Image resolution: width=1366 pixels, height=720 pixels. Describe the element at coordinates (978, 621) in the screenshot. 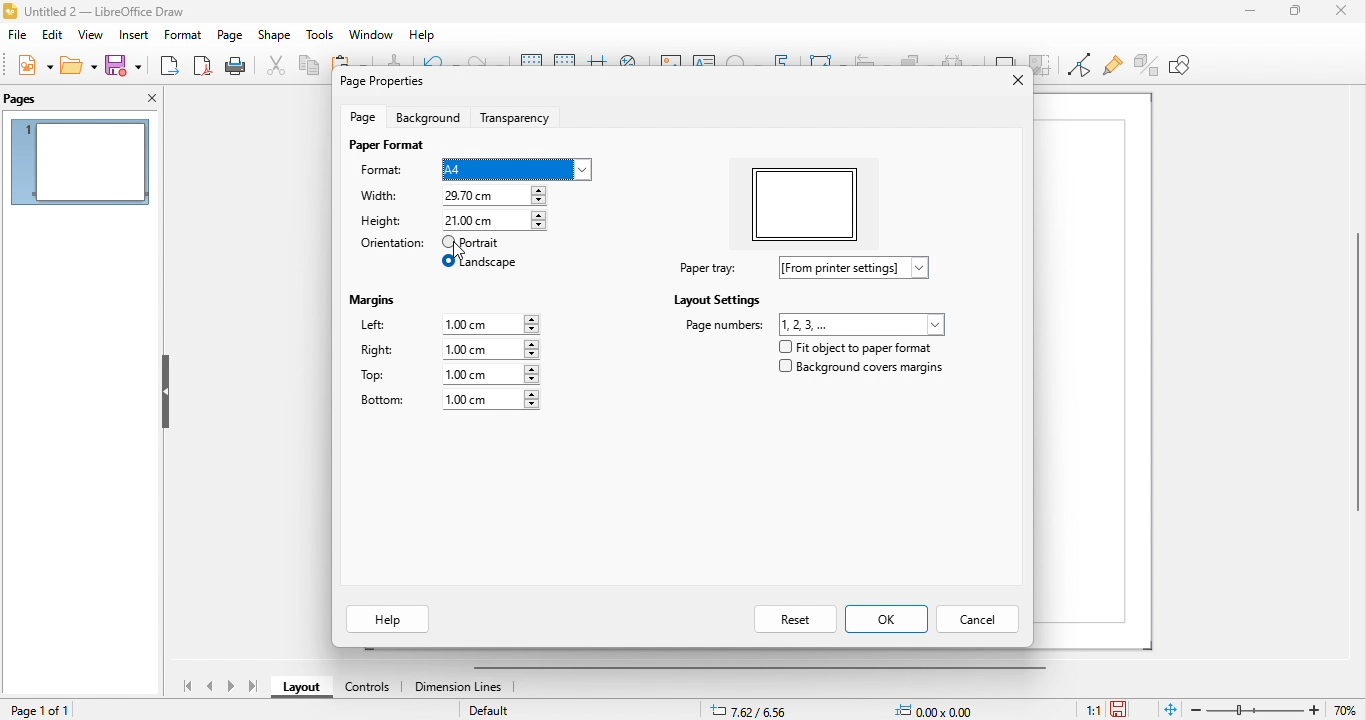

I see `cancel` at that location.